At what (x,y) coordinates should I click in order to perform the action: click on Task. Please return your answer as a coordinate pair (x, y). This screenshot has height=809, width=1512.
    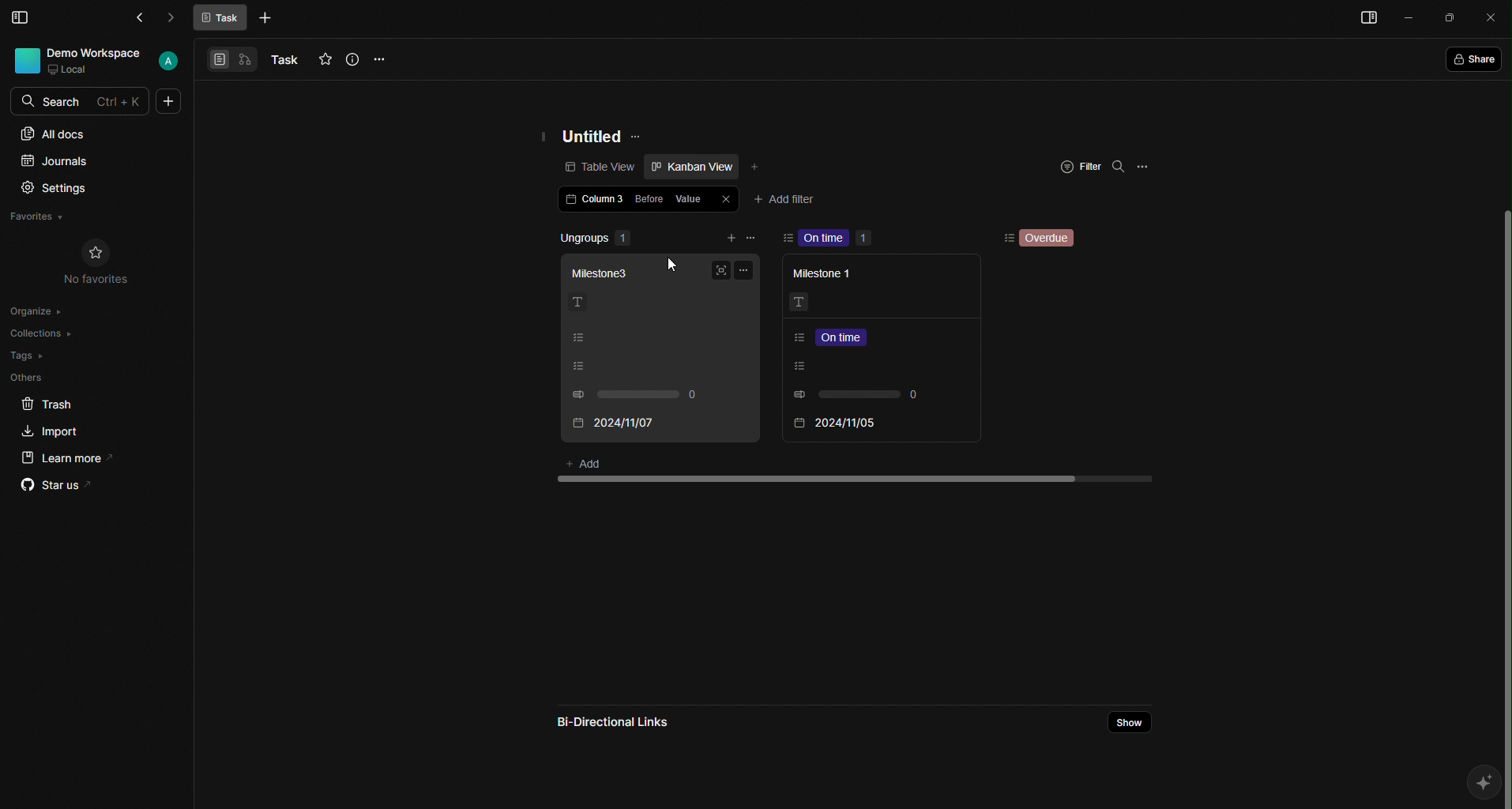
    Looking at the image, I should click on (220, 18).